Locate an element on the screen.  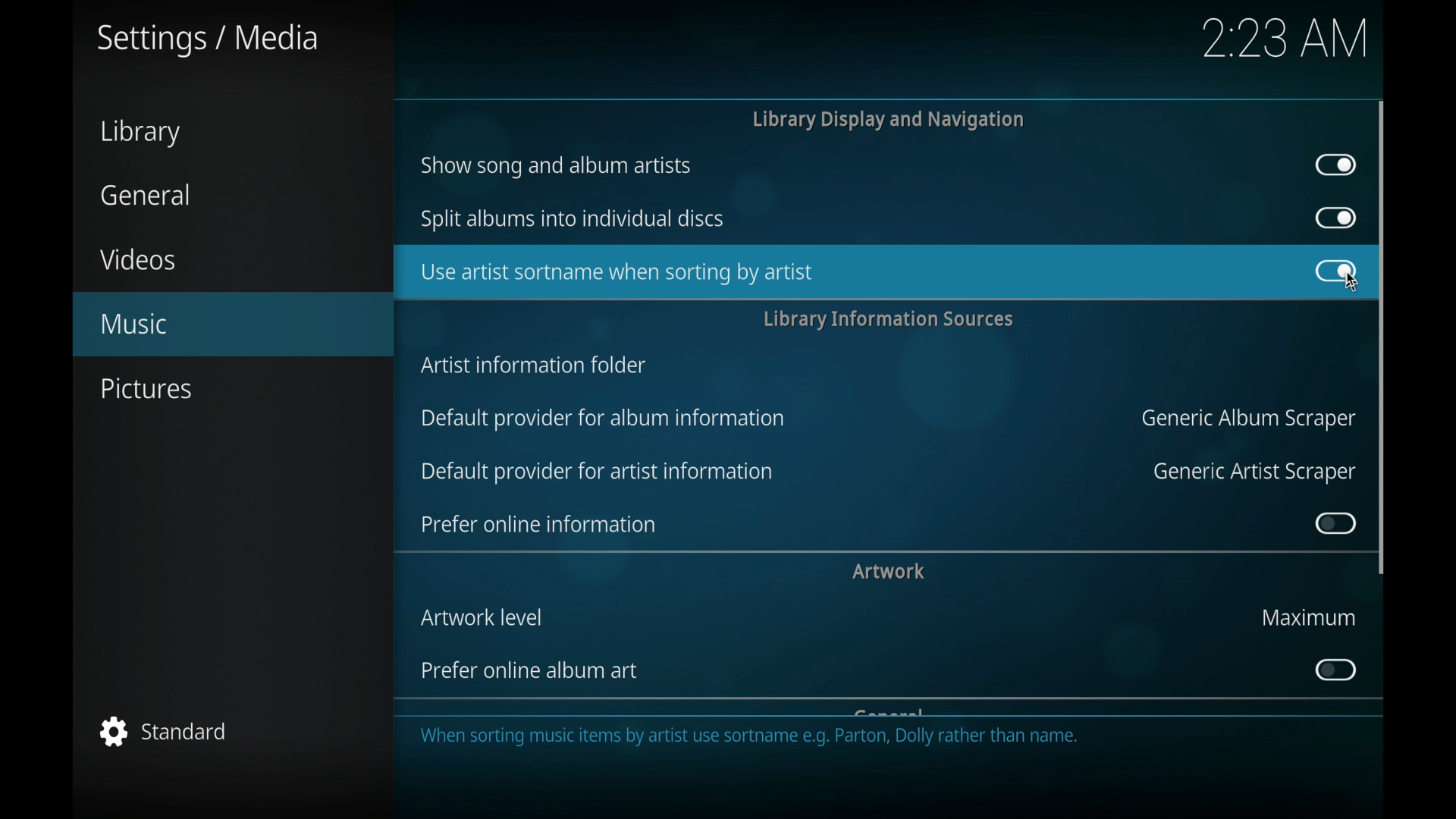
artist information folder is located at coordinates (534, 366).